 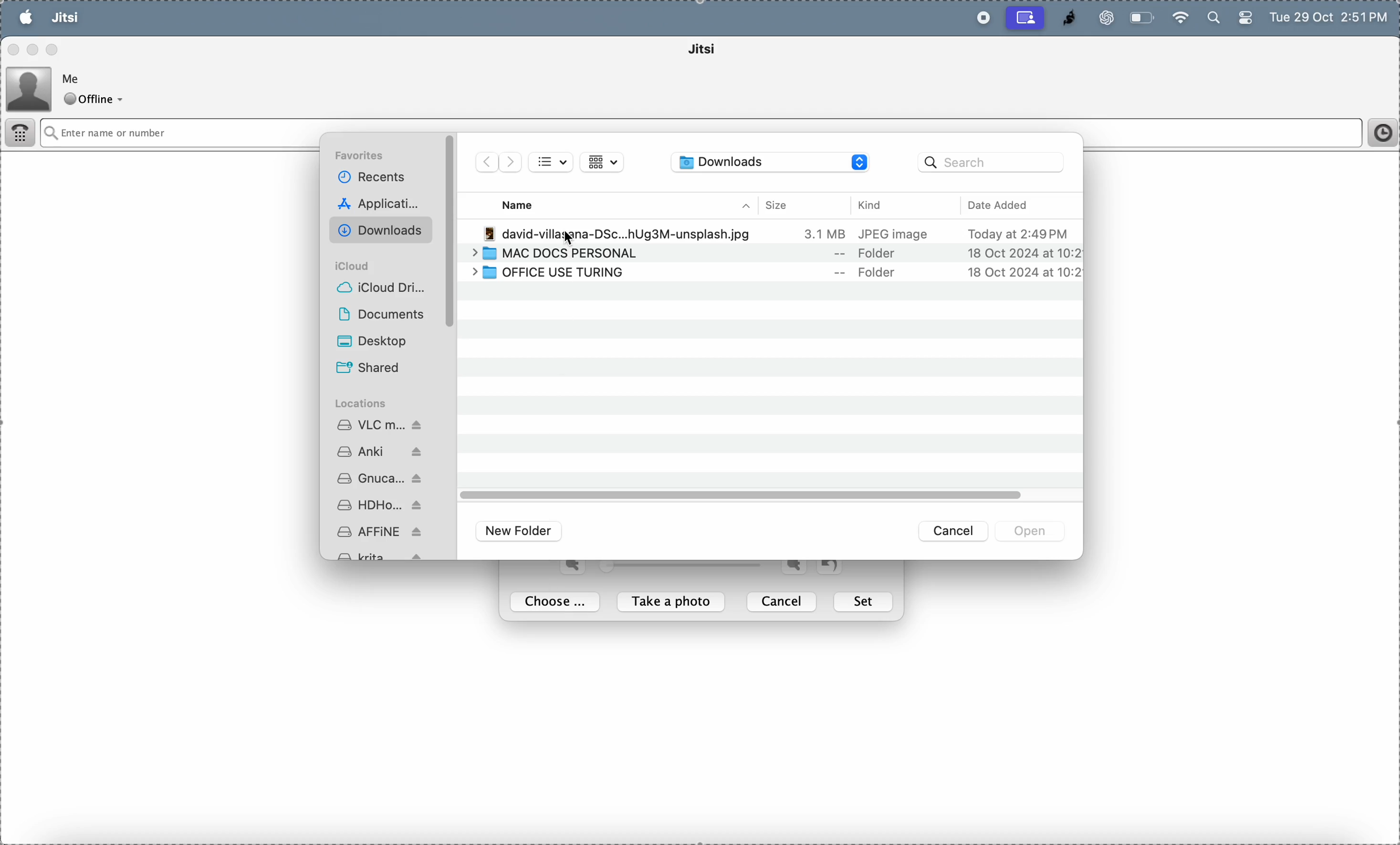 What do you see at coordinates (674, 603) in the screenshot?
I see `take a photo` at bounding box center [674, 603].